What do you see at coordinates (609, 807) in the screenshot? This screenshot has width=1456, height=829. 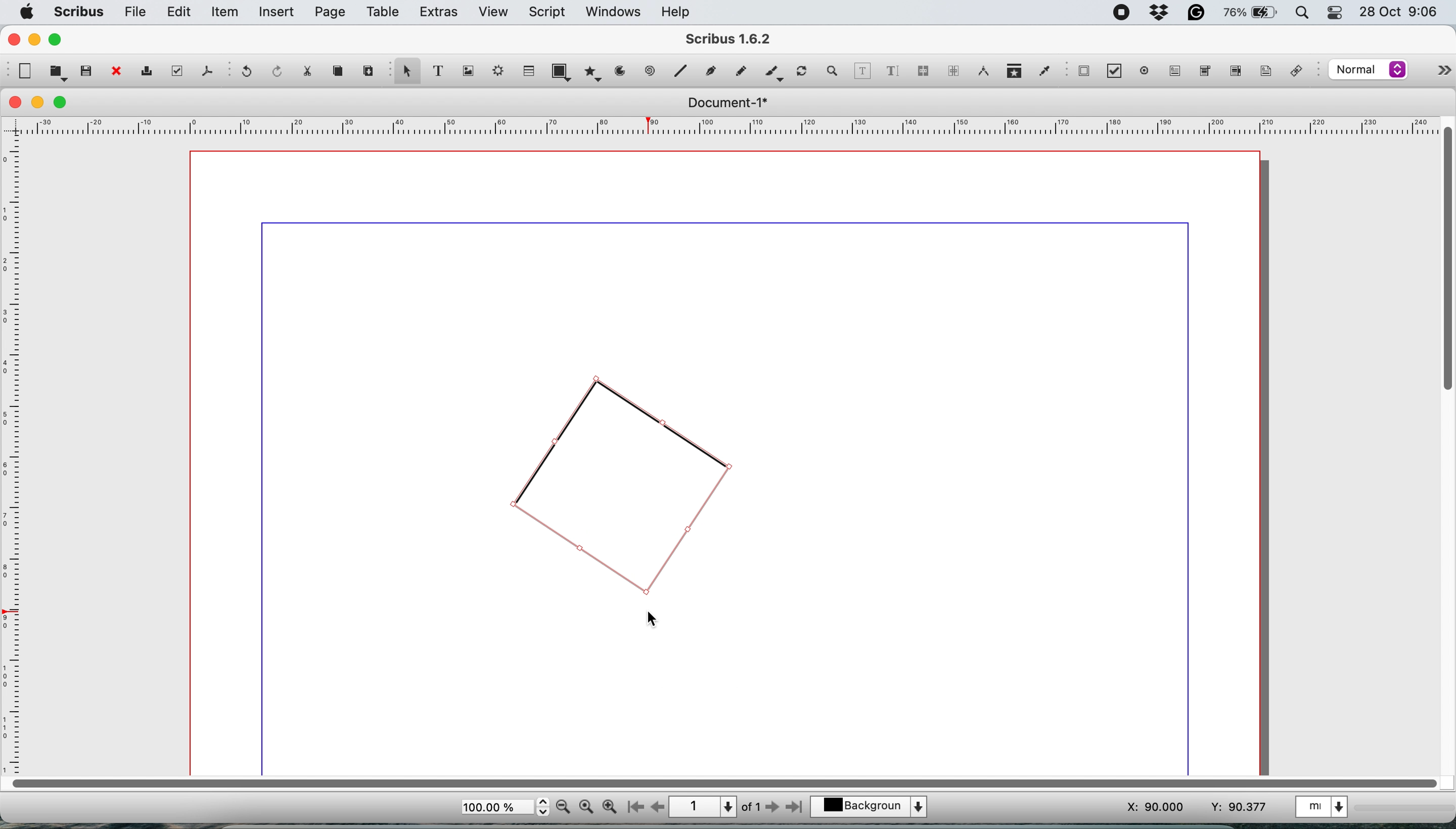 I see `zoom in` at bounding box center [609, 807].